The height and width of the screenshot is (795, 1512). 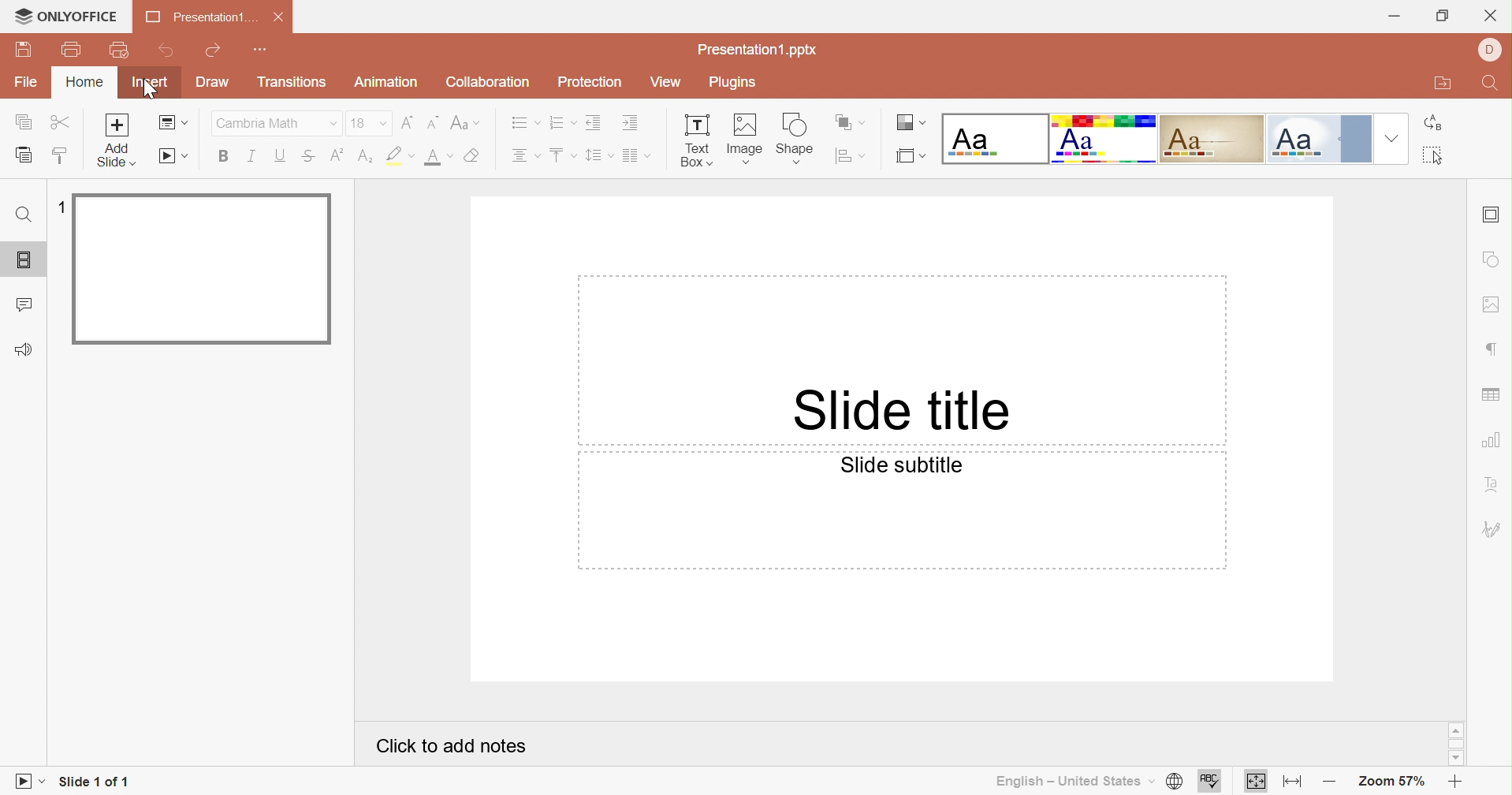 I want to click on Scroll Bar, so click(x=1456, y=746).